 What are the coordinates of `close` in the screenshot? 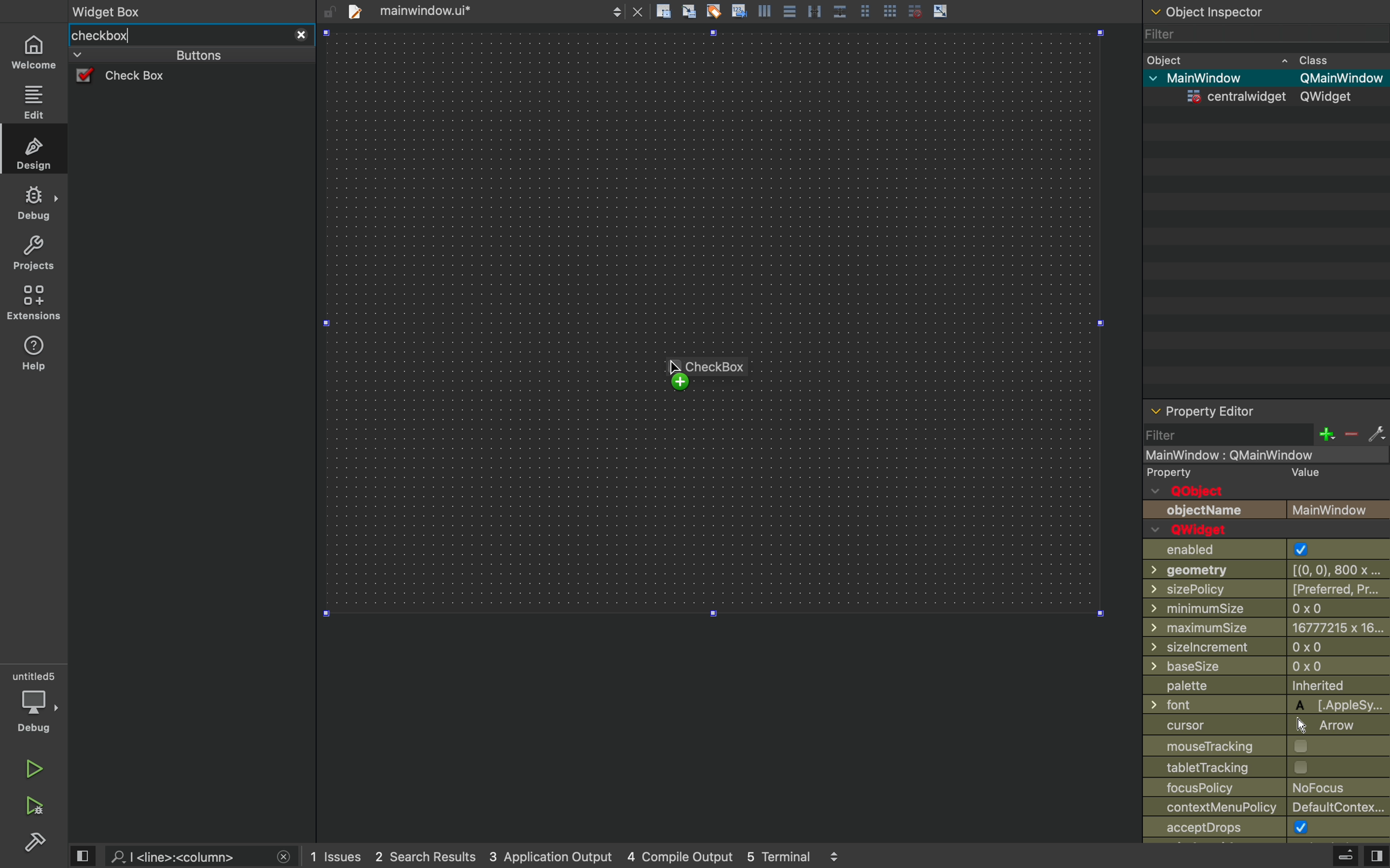 It's located at (301, 36).